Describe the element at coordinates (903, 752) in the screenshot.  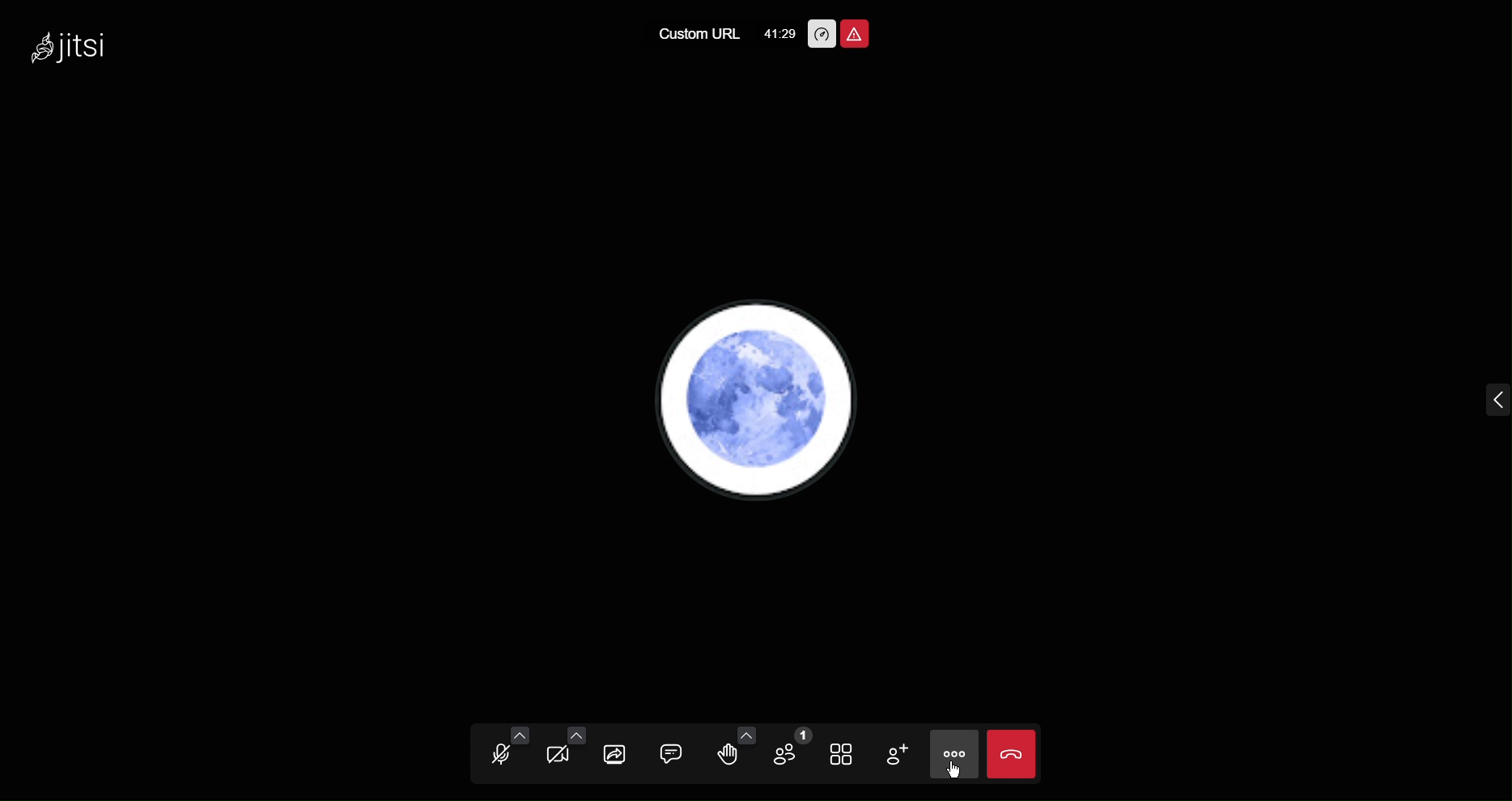
I see `Add Participant` at that location.